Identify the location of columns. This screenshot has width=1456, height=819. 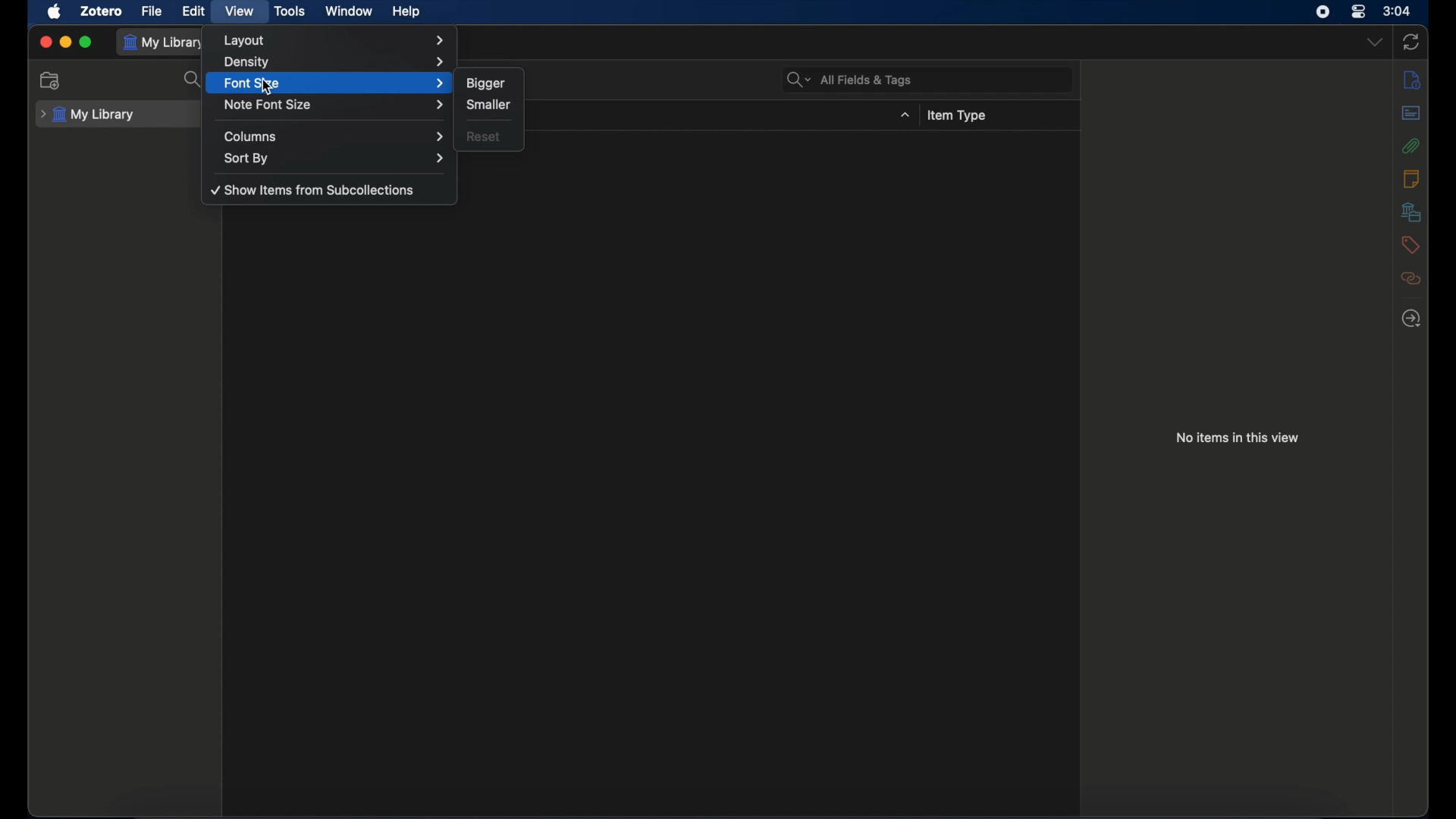
(333, 136).